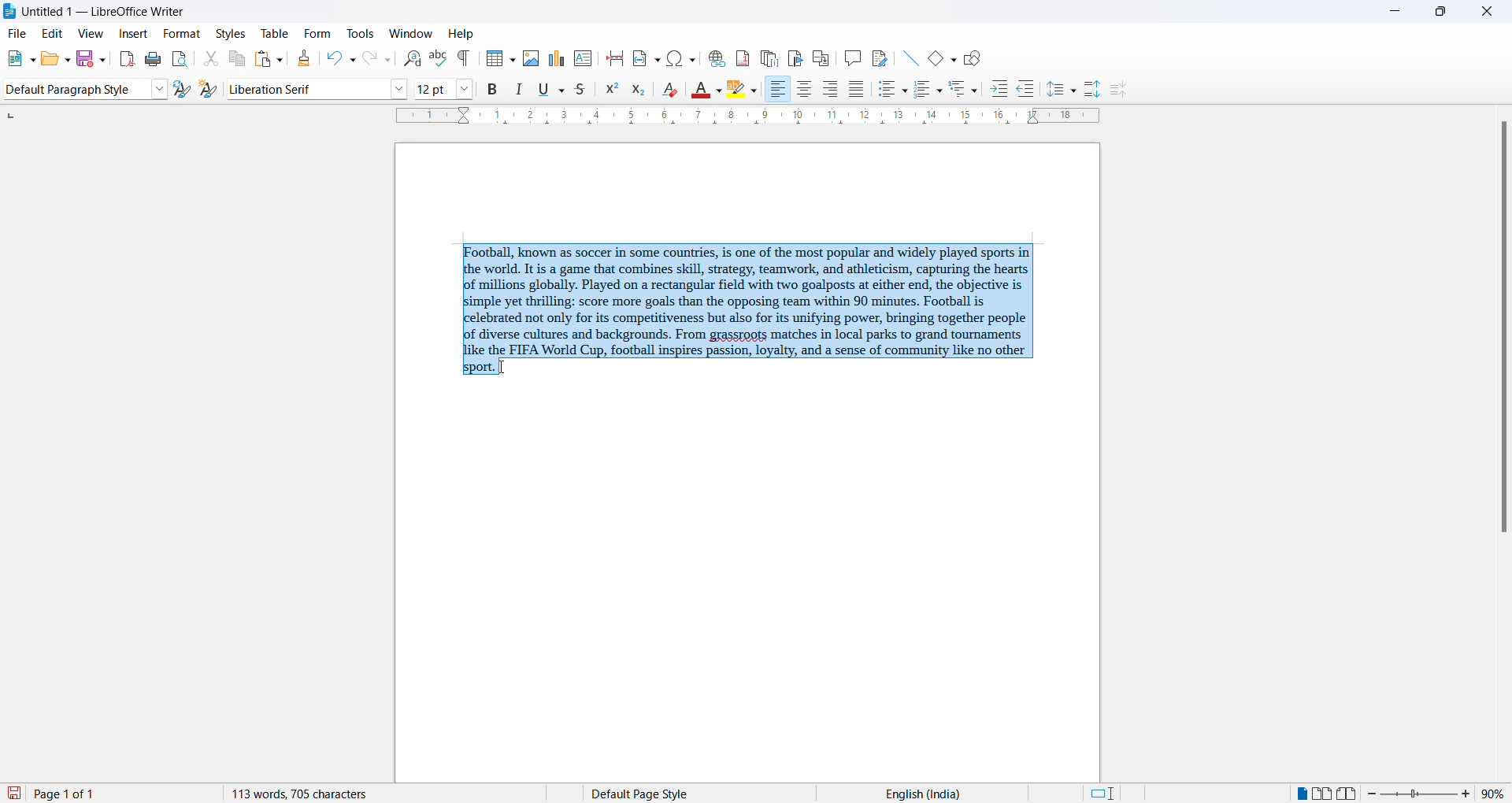 The width and height of the screenshot is (1512, 803). What do you see at coordinates (716, 61) in the screenshot?
I see `insert hyperlink` at bounding box center [716, 61].